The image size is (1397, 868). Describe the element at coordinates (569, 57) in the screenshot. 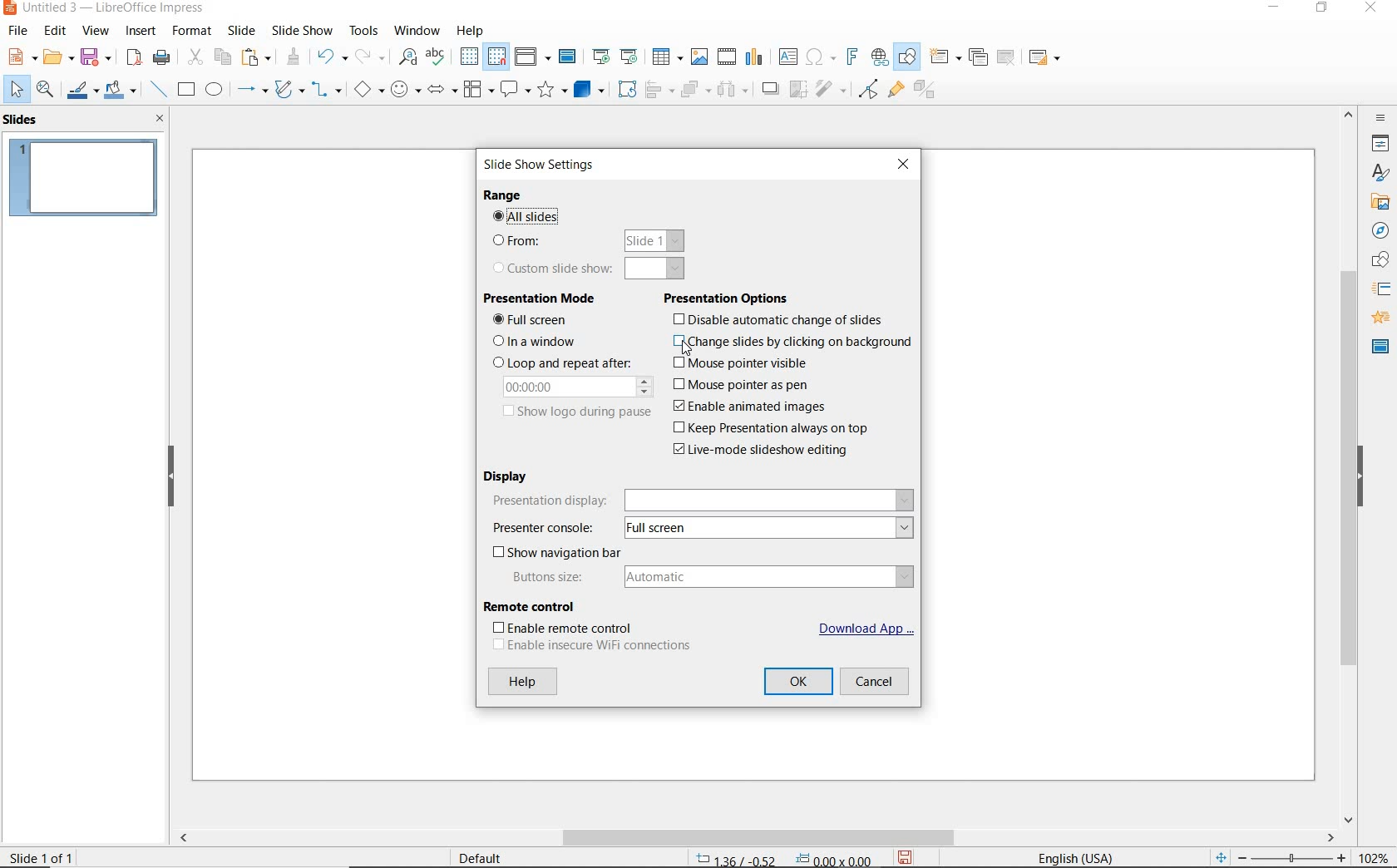

I see `MASTER SLIDE` at that location.